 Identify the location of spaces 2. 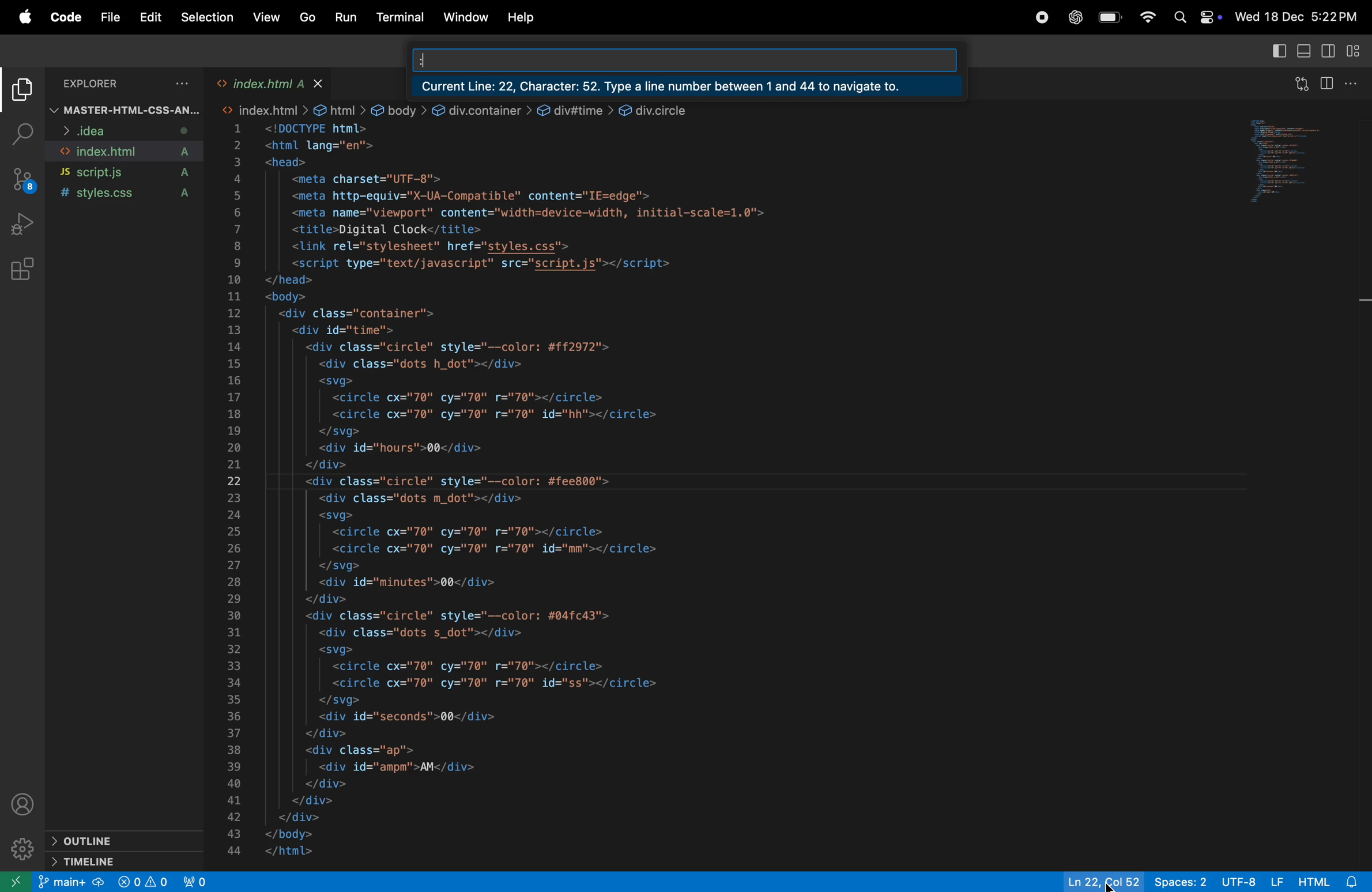
(1178, 882).